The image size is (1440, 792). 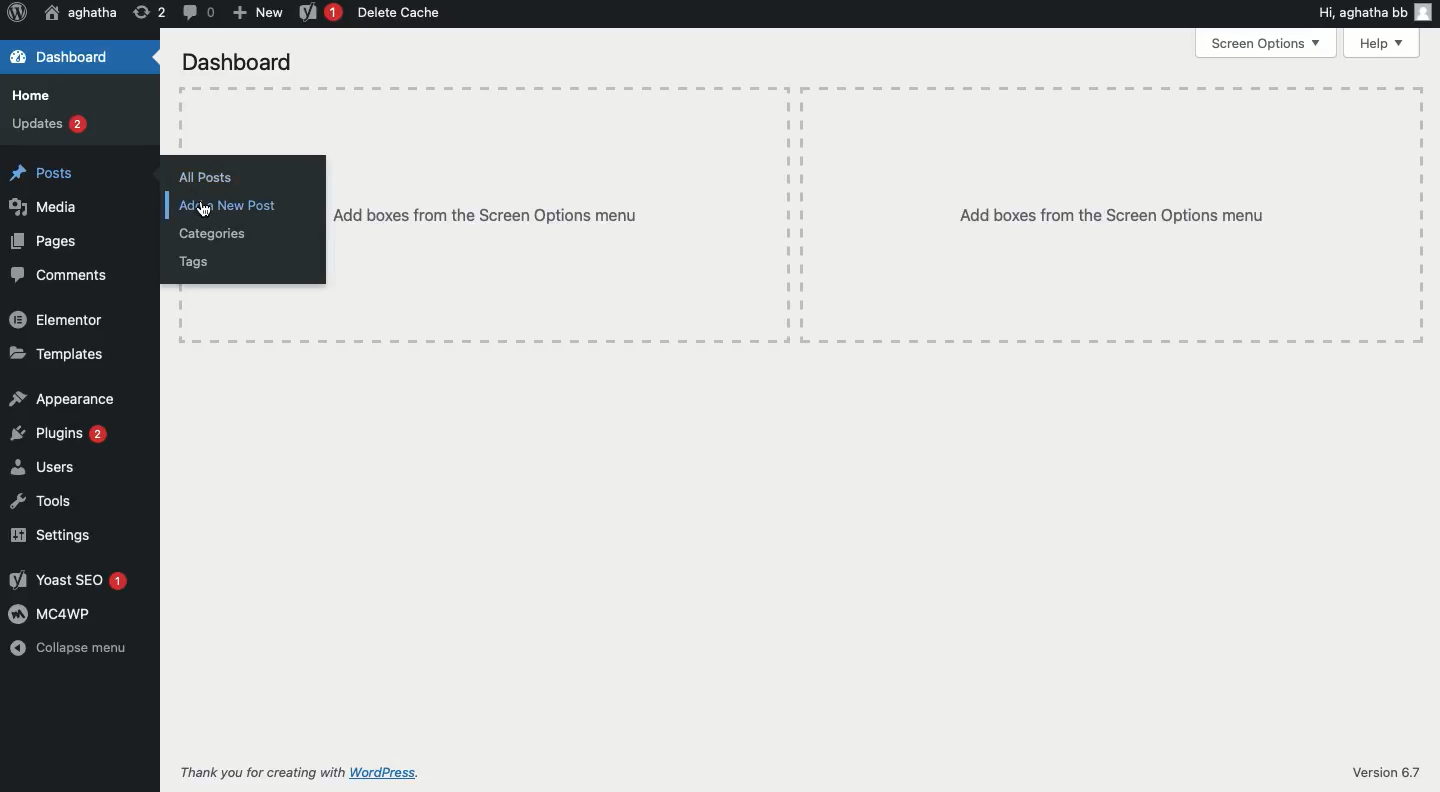 What do you see at coordinates (204, 210) in the screenshot?
I see `Cursor` at bounding box center [204, 210].